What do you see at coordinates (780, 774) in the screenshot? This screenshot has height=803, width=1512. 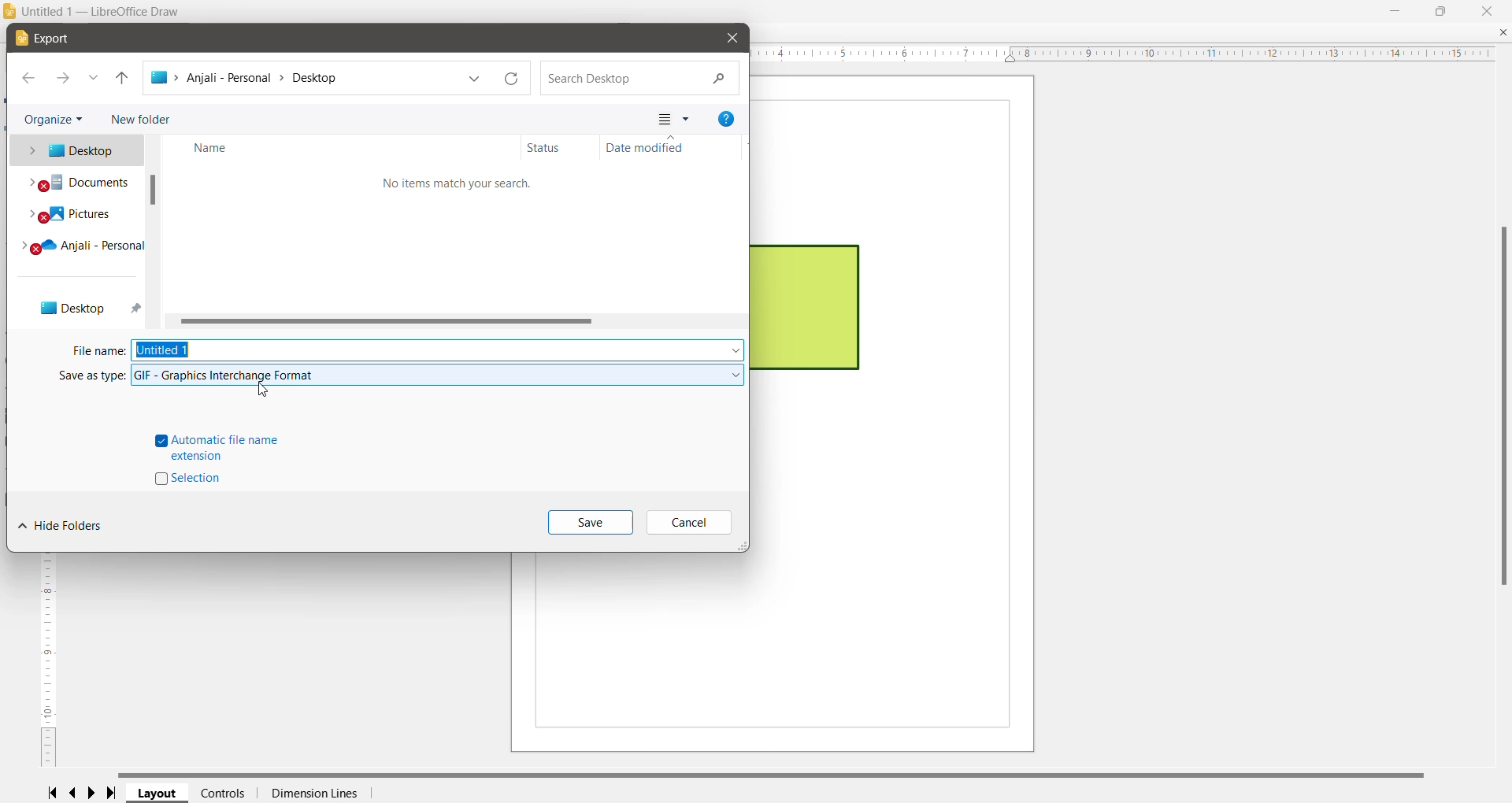 I see `Horizontal Scroll Bar` at bounding box center [780, 774].